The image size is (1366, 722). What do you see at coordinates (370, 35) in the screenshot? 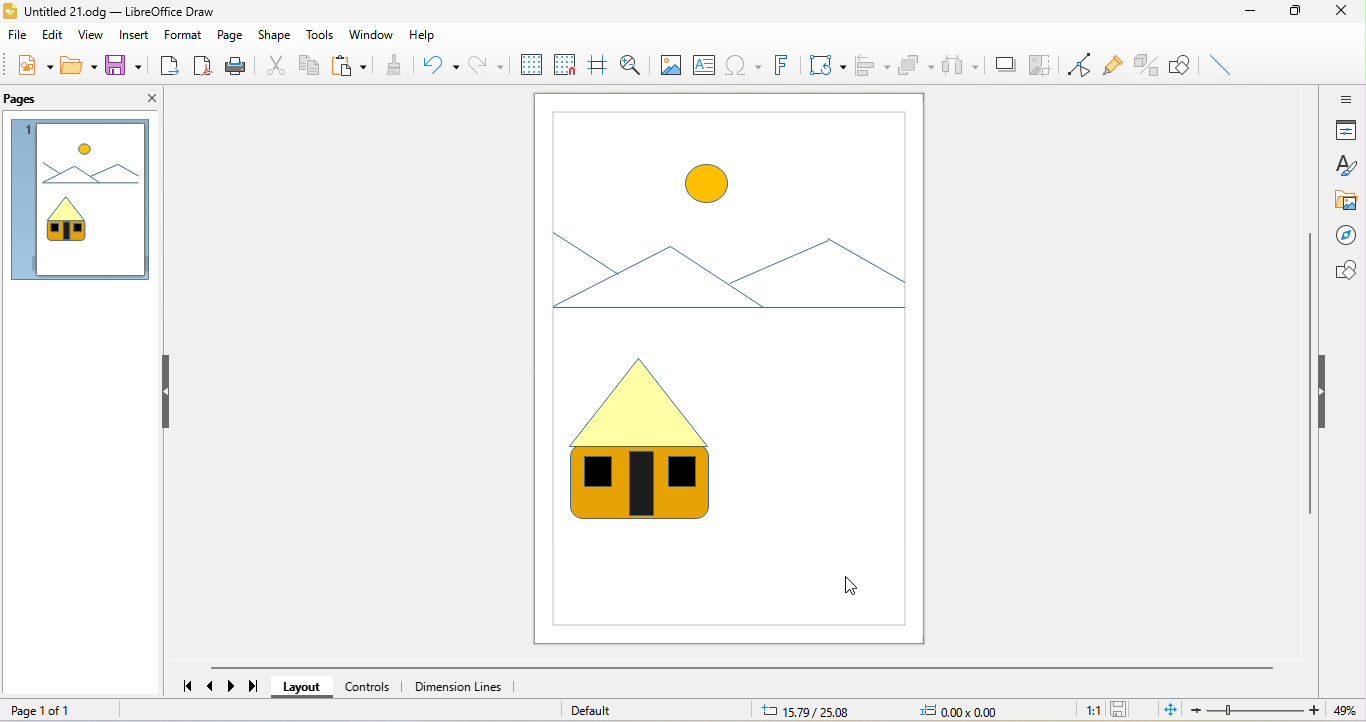
I see `window` at bounding box center [370, 35].